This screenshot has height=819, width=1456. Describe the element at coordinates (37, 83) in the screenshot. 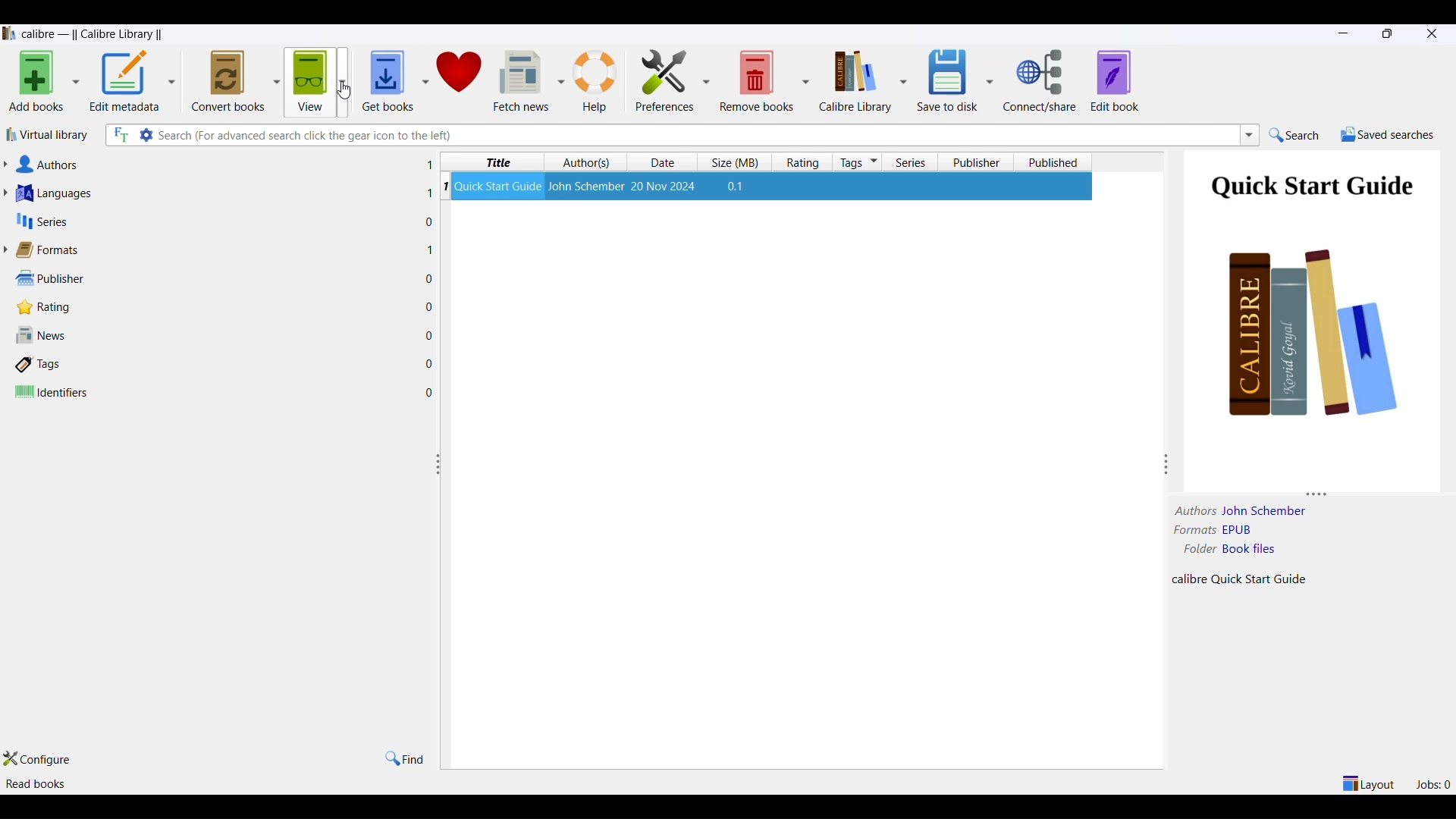

I see `add books` at that location.